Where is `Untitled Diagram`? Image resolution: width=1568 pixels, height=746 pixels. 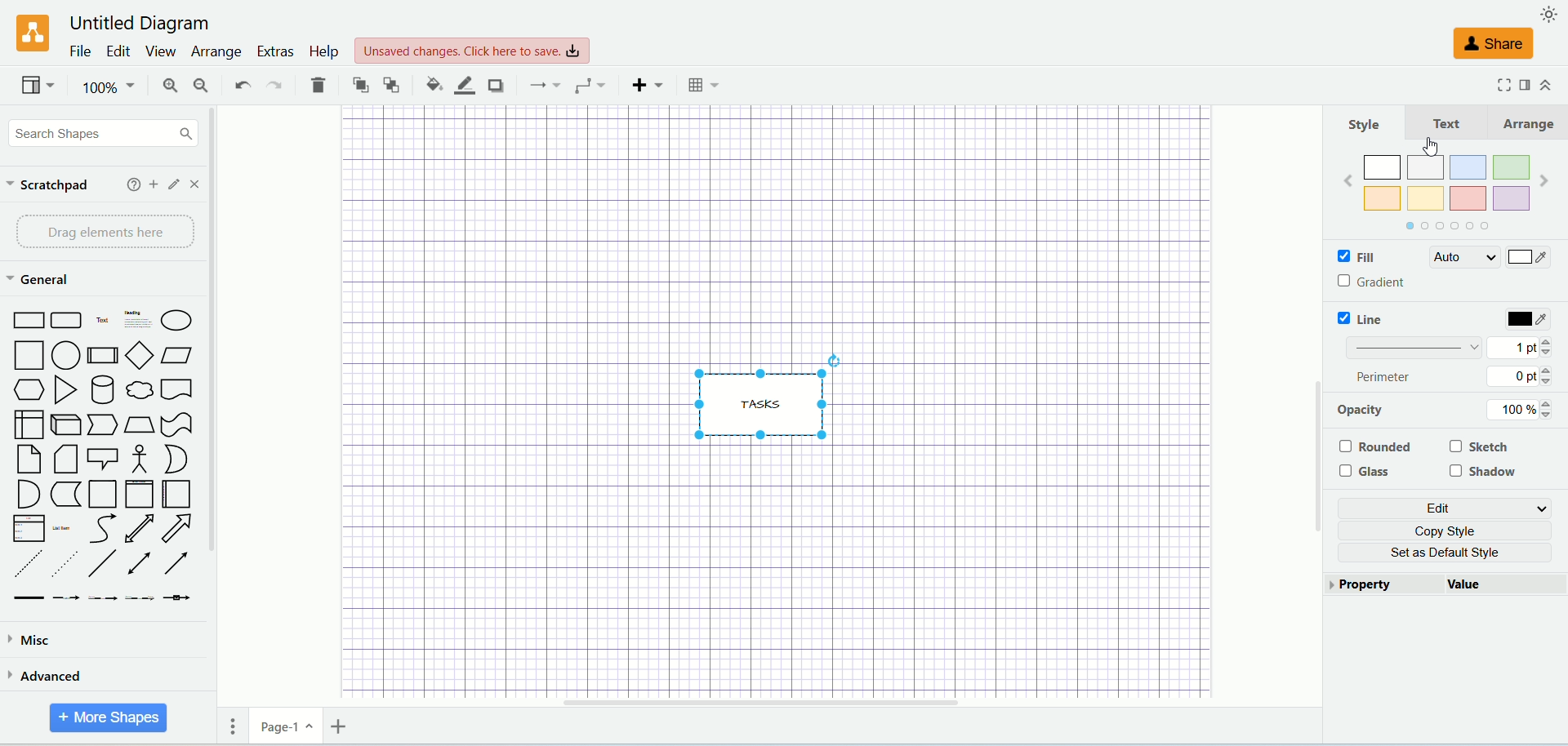 Untitled Diagram is located at coordinates (134, 24).